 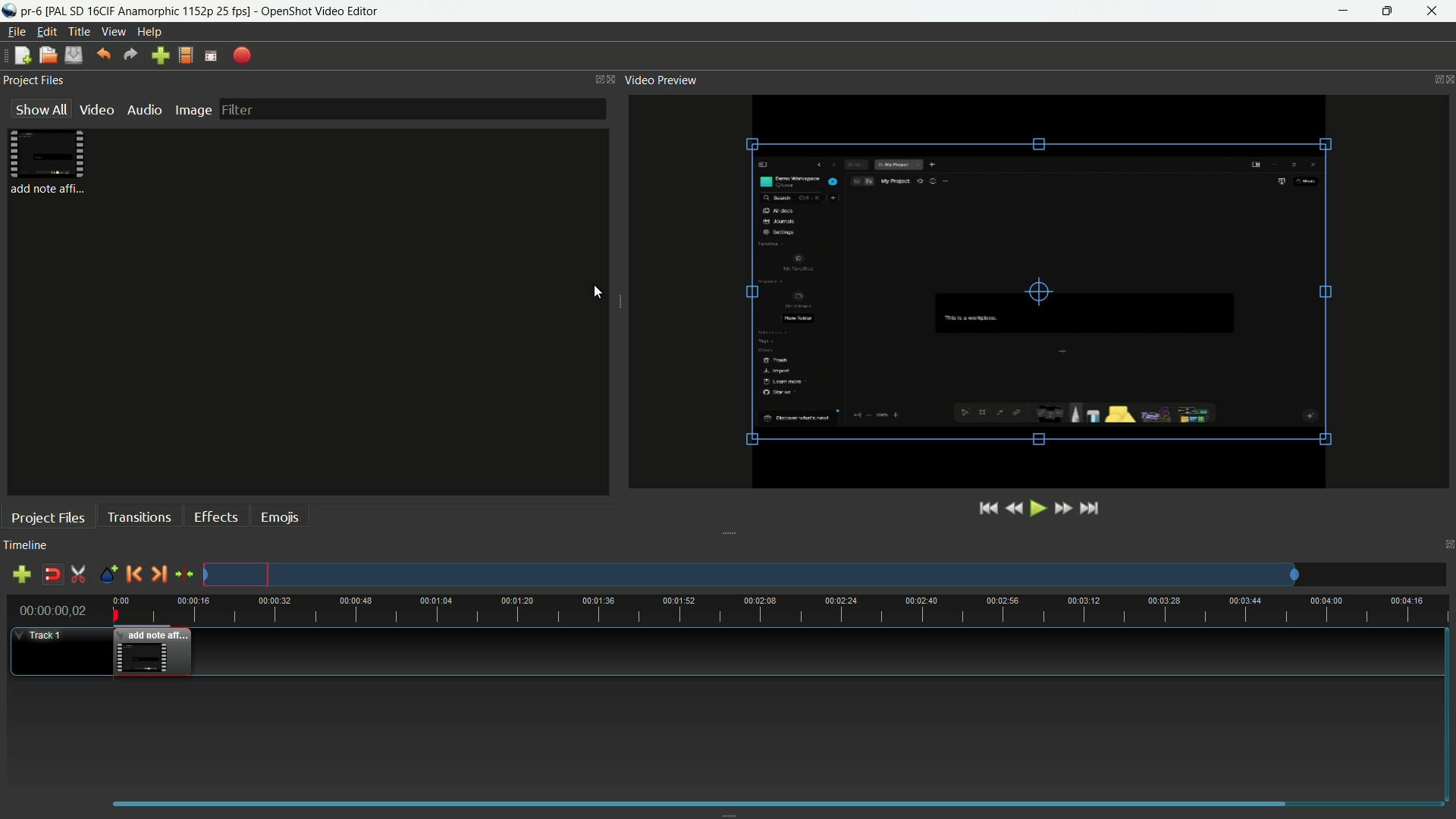 I want to click on close project files, so click(x=610, y=79).